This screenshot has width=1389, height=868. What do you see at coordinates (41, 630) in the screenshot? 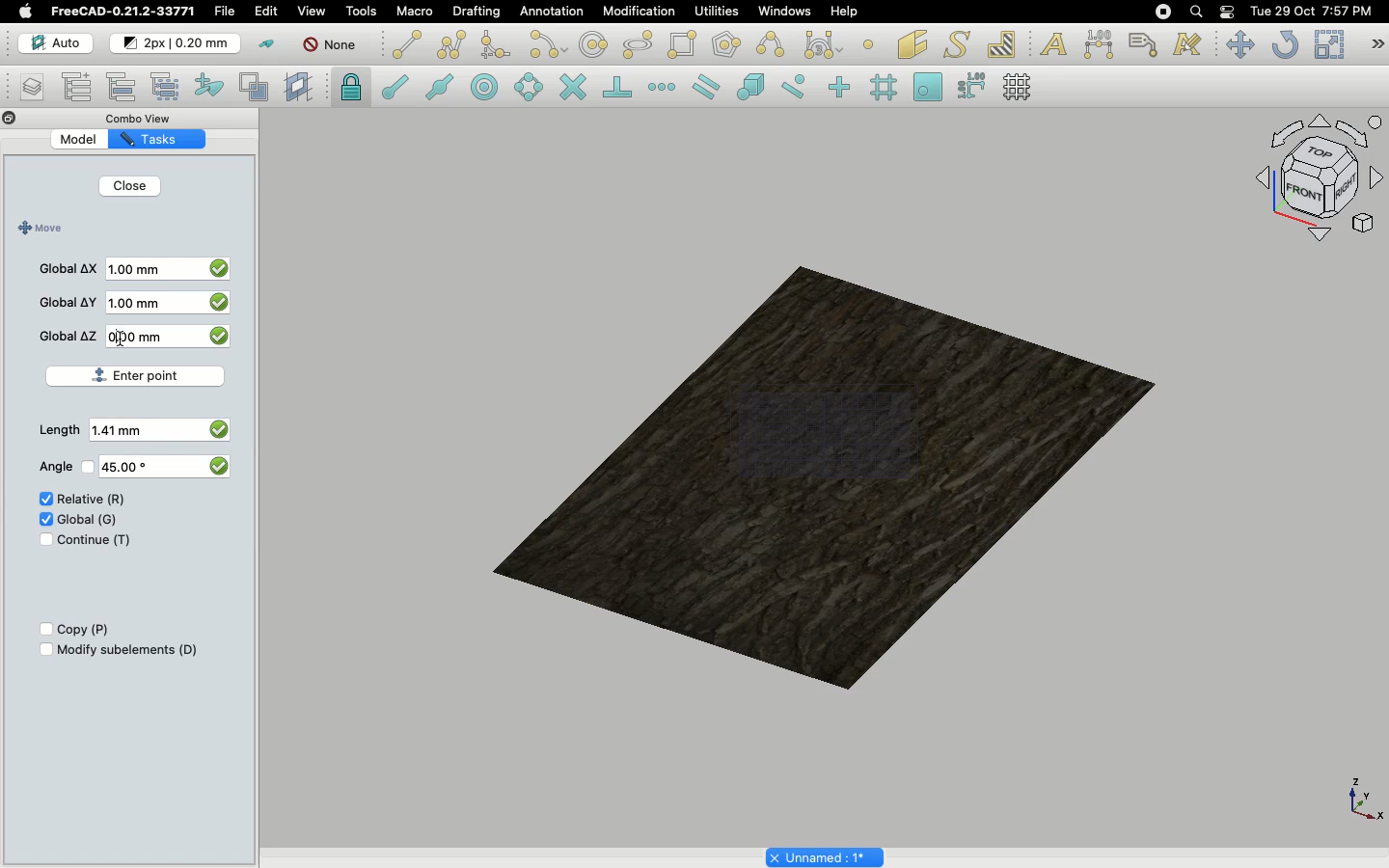
I see `Checkbox` at bounding box center [41, 630].